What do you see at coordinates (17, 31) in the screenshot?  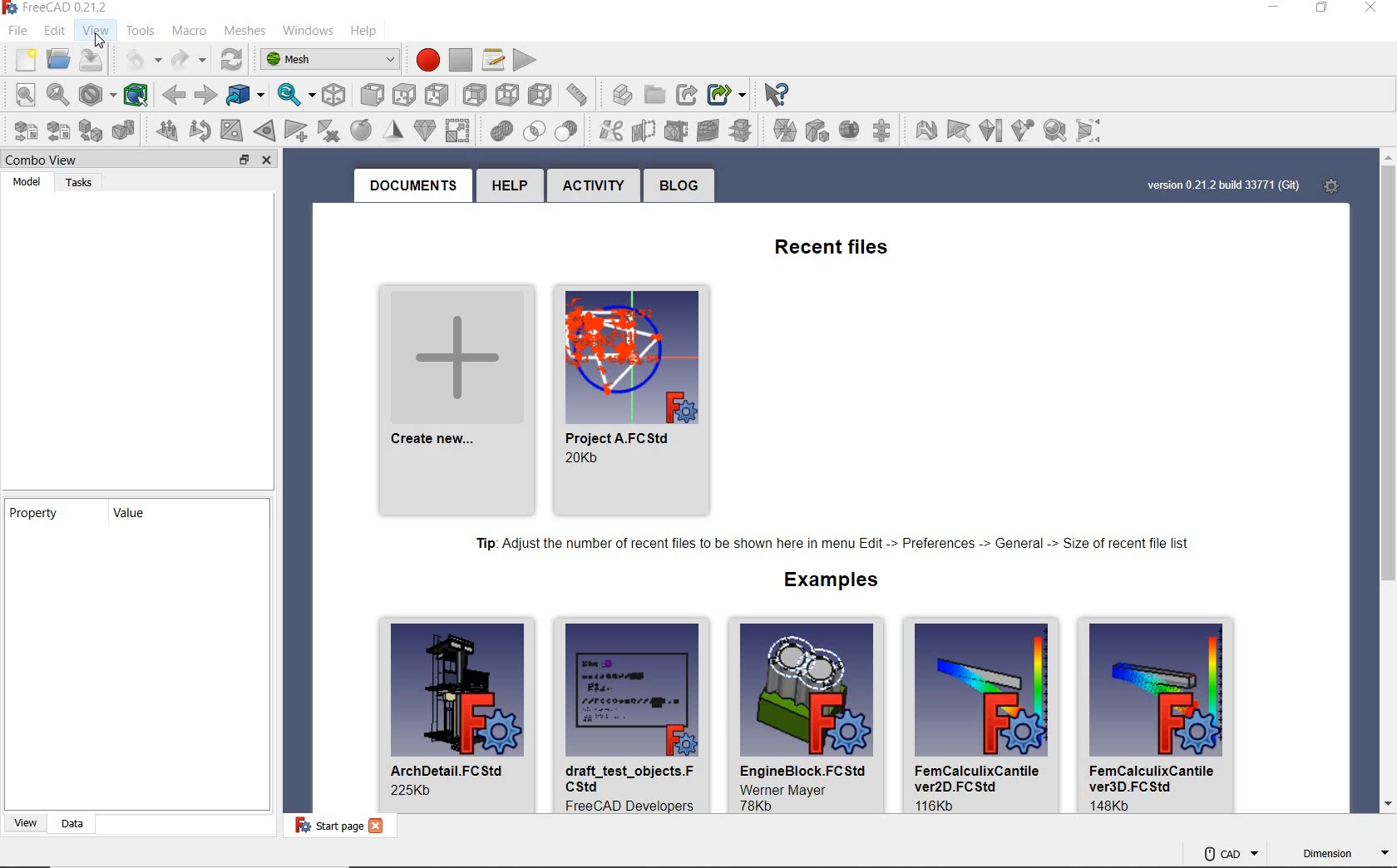 I see `file` at bounding box center [17, 31].